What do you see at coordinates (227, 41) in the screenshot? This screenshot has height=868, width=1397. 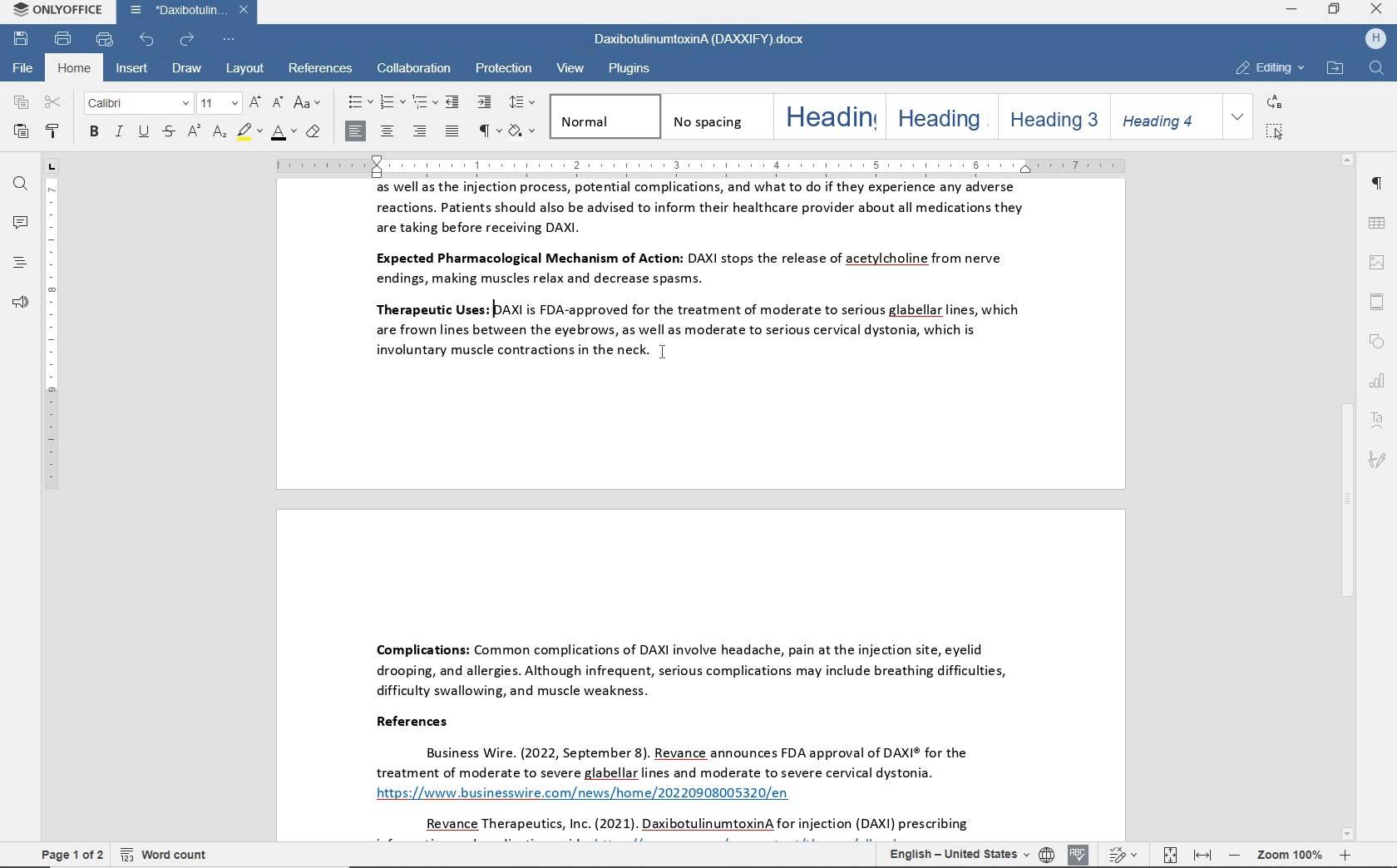 I see `customize quick access toolbar` at bounding box center [227, 41].